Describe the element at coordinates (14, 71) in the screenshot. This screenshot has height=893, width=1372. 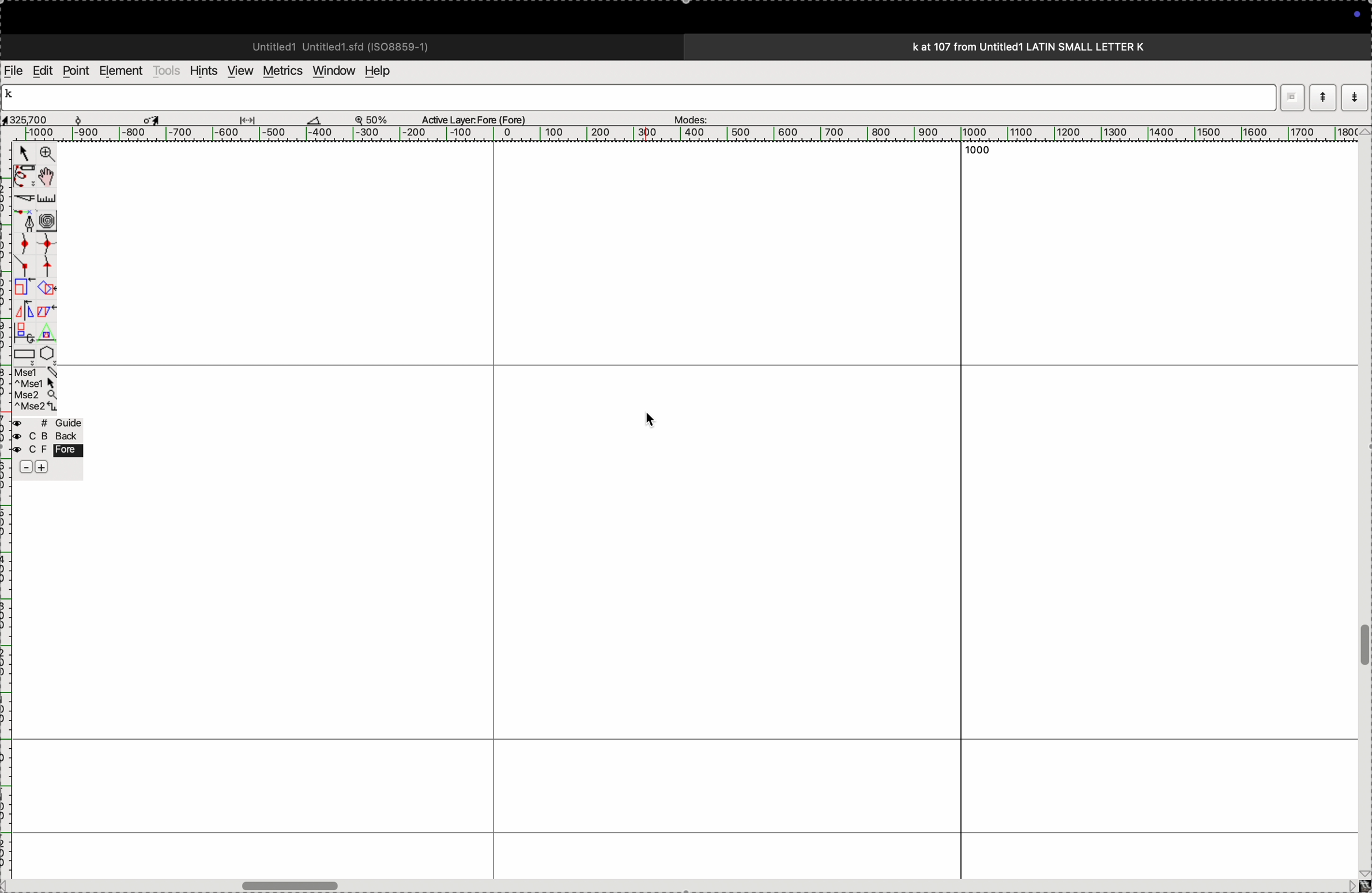
I see `file` at that location.